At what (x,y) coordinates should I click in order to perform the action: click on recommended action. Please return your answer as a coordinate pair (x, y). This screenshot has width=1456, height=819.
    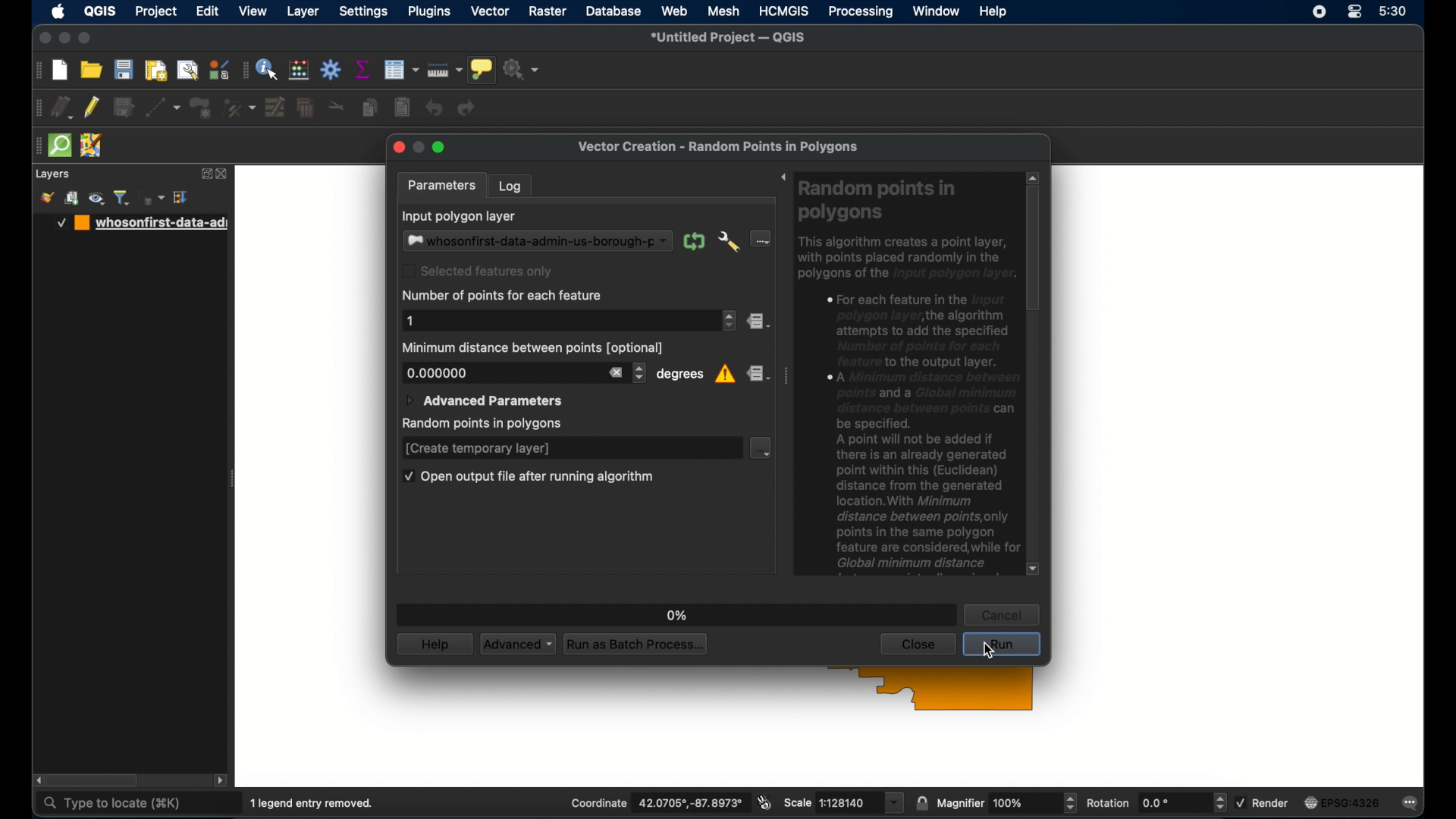
    Looking at the image, I should click on (725, 374).